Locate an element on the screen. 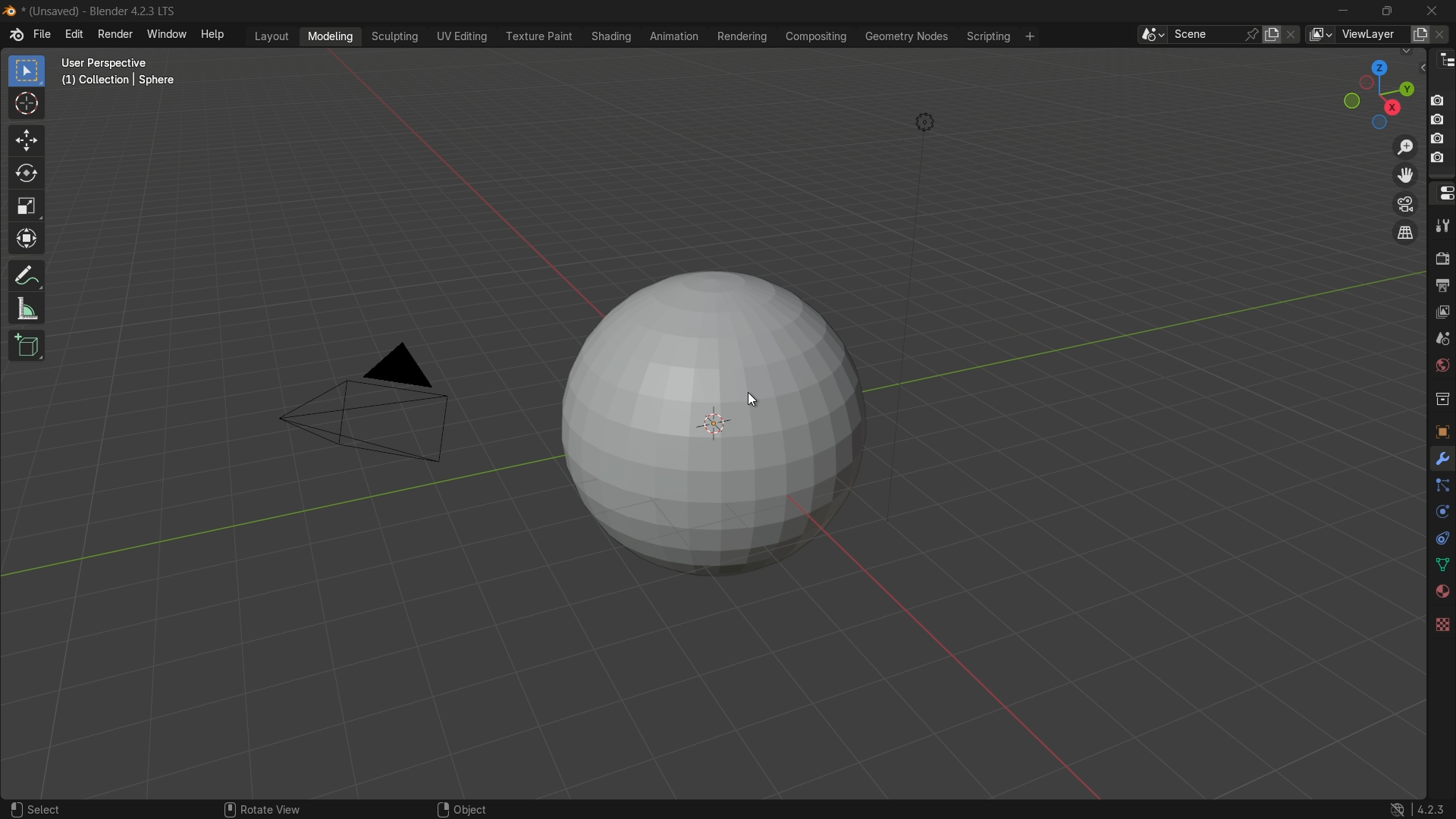 The width and height of the screenshot is (1456, 819). delete scene is located at coordinates (1292, 35).